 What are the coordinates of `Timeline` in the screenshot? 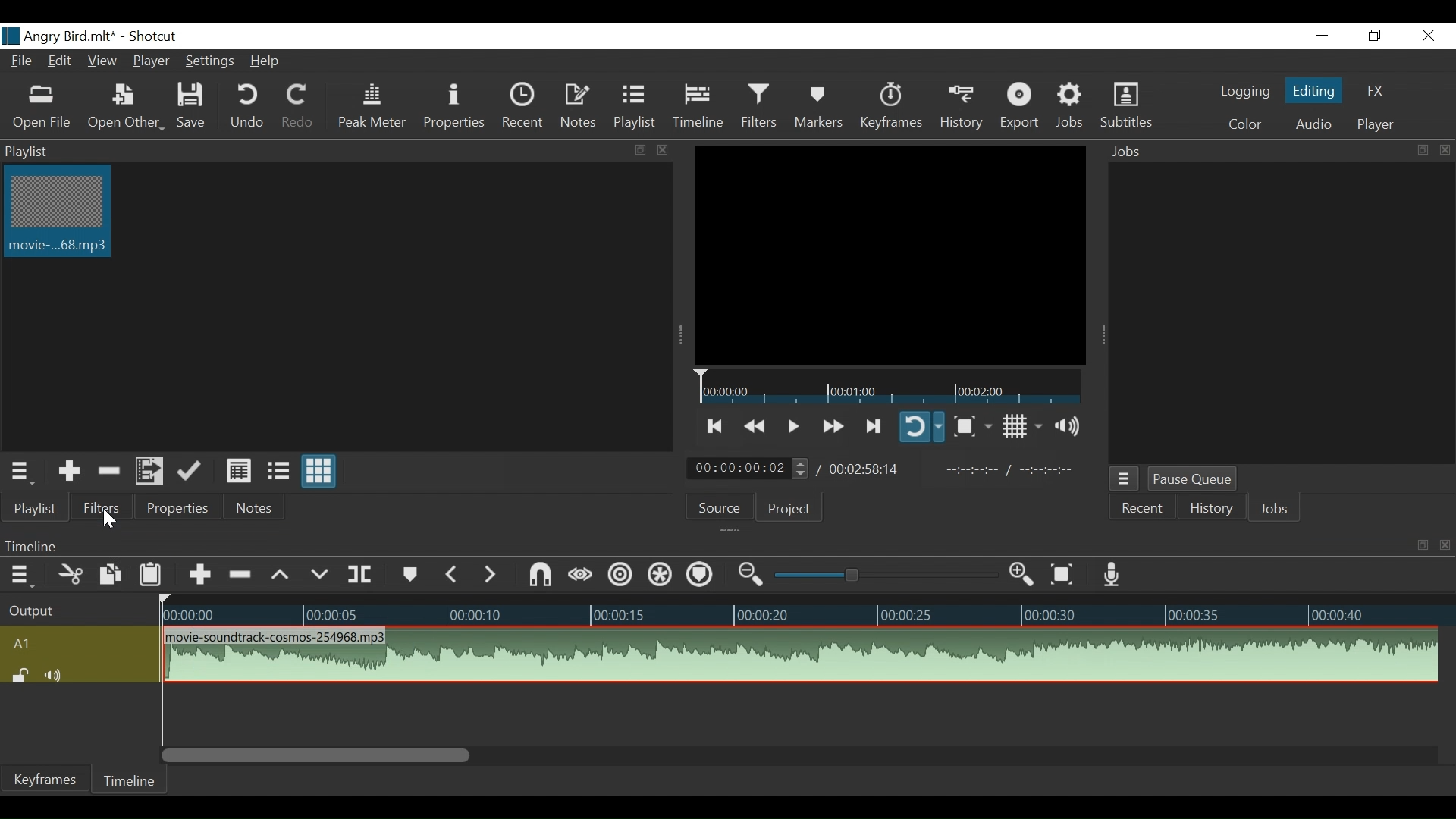 It's located at (802, 610).